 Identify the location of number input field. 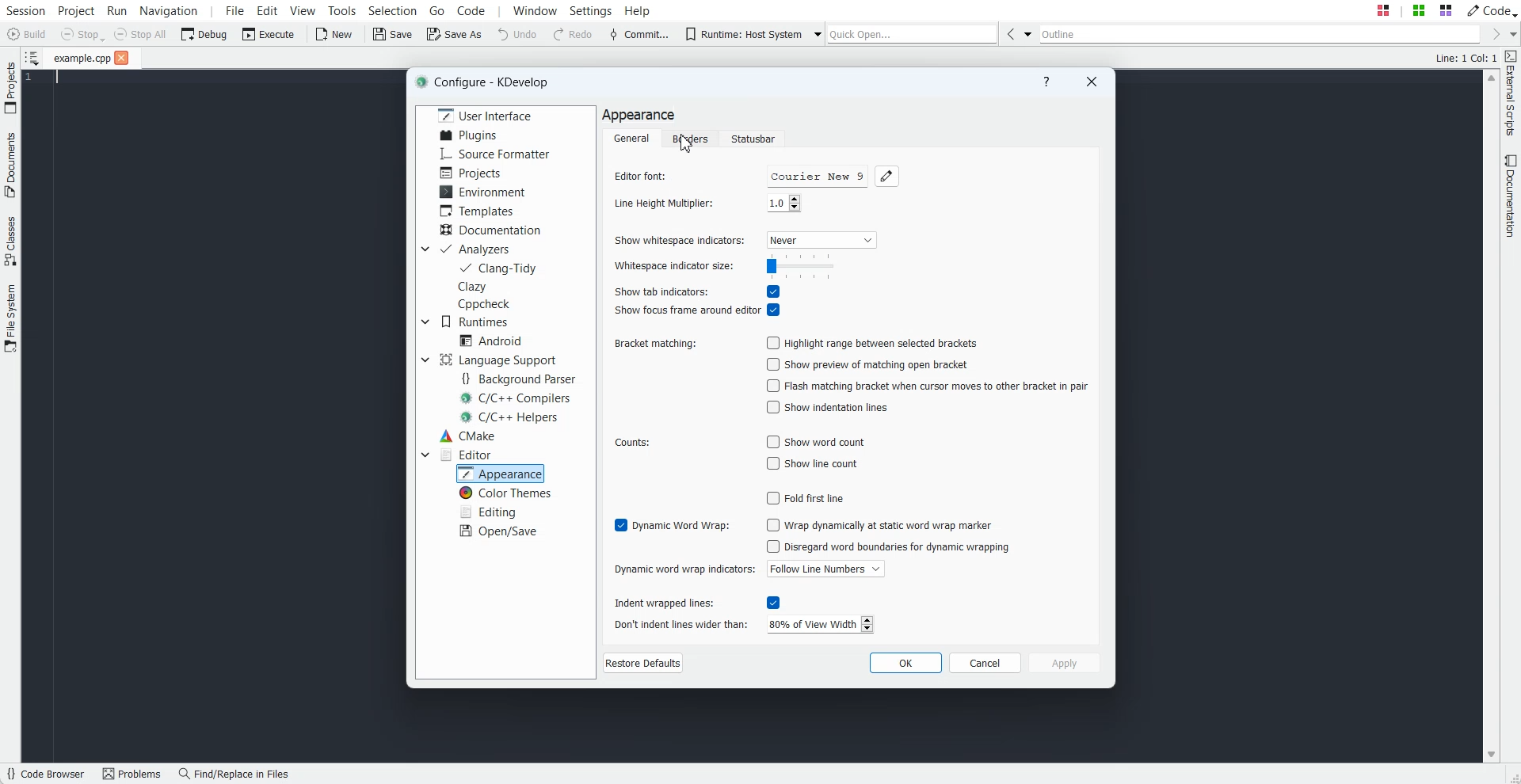
(783, 203).